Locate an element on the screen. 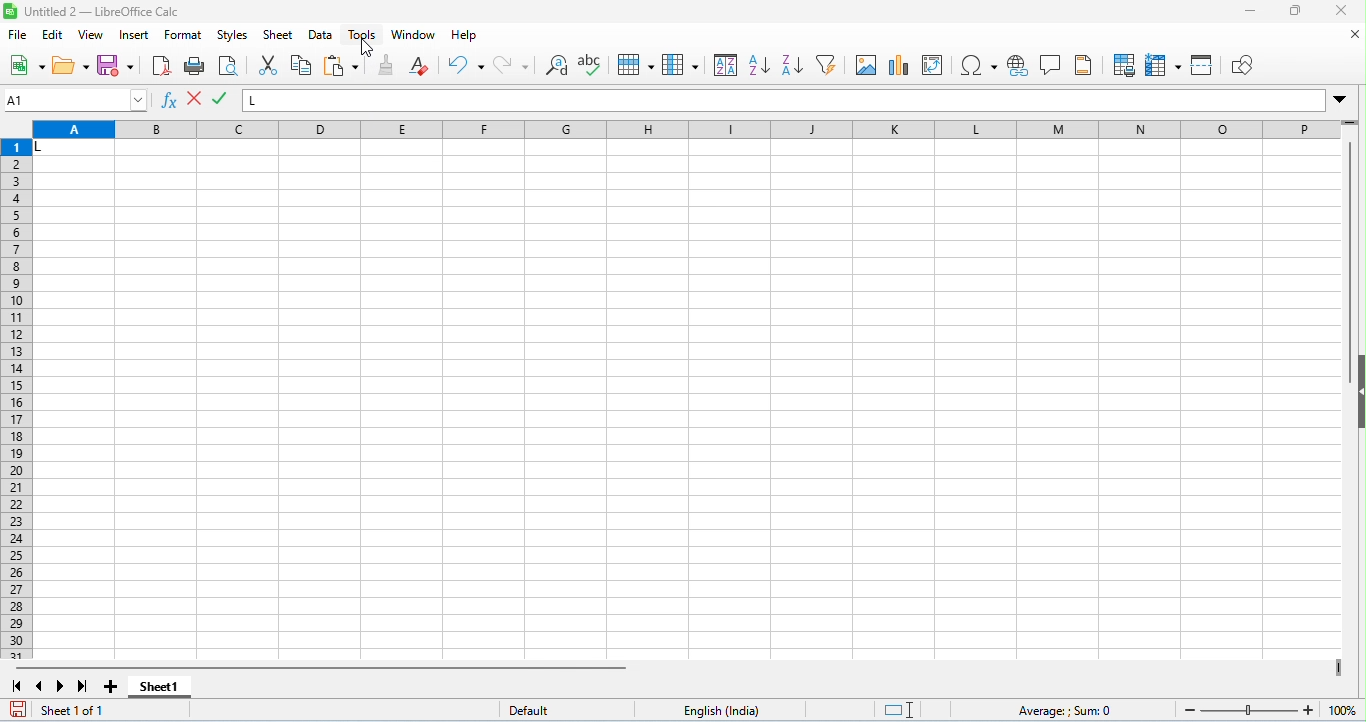 The width and height of the screenshot is (1366, 722). drop down is located at coordinates (1340, 99).